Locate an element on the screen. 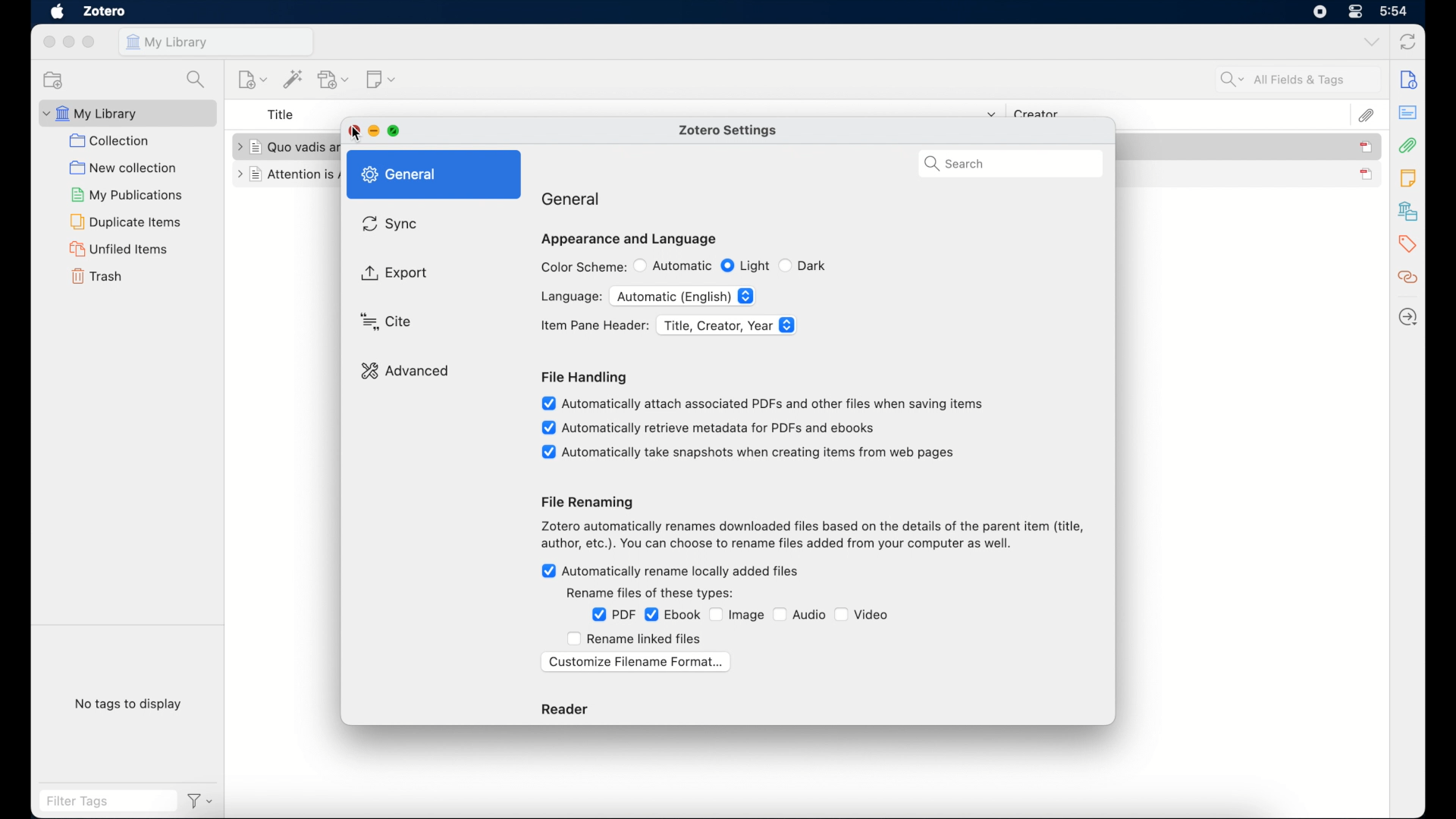  language is located at coordinates (570, 297).